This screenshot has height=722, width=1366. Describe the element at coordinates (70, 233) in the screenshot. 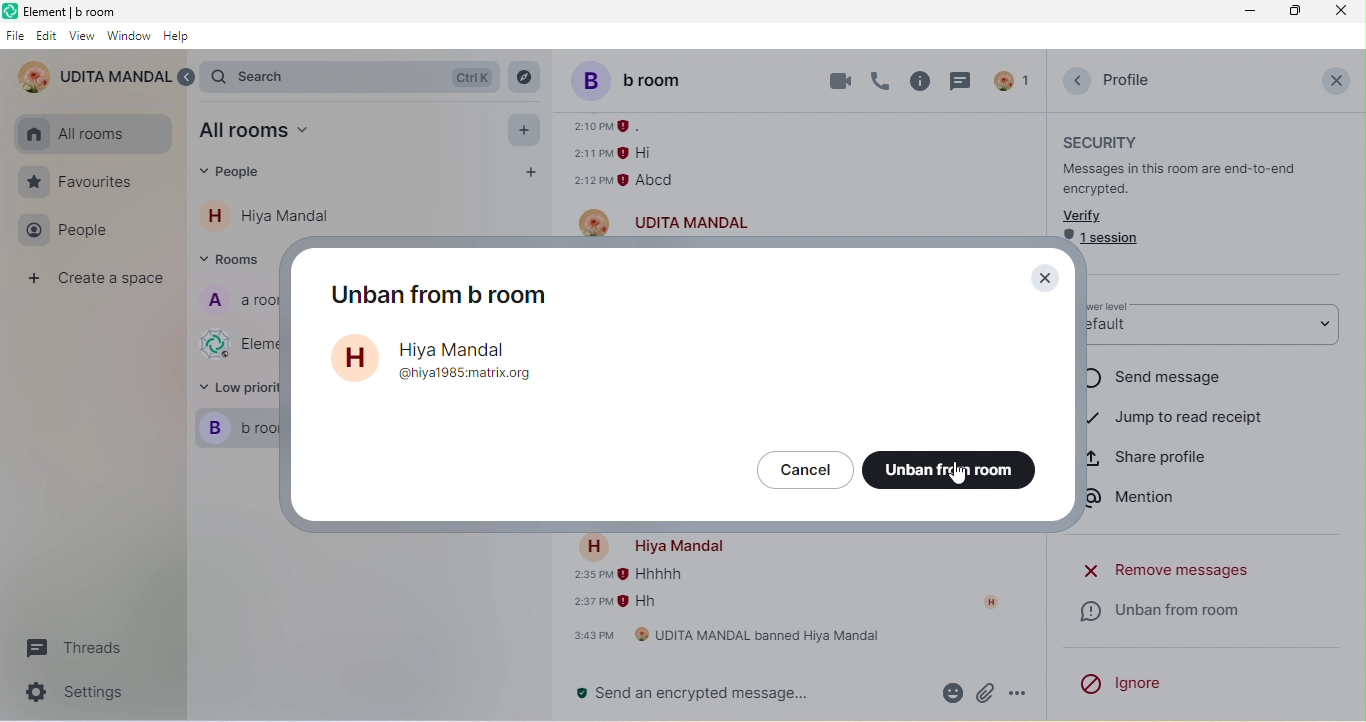

I see `people` at that location.